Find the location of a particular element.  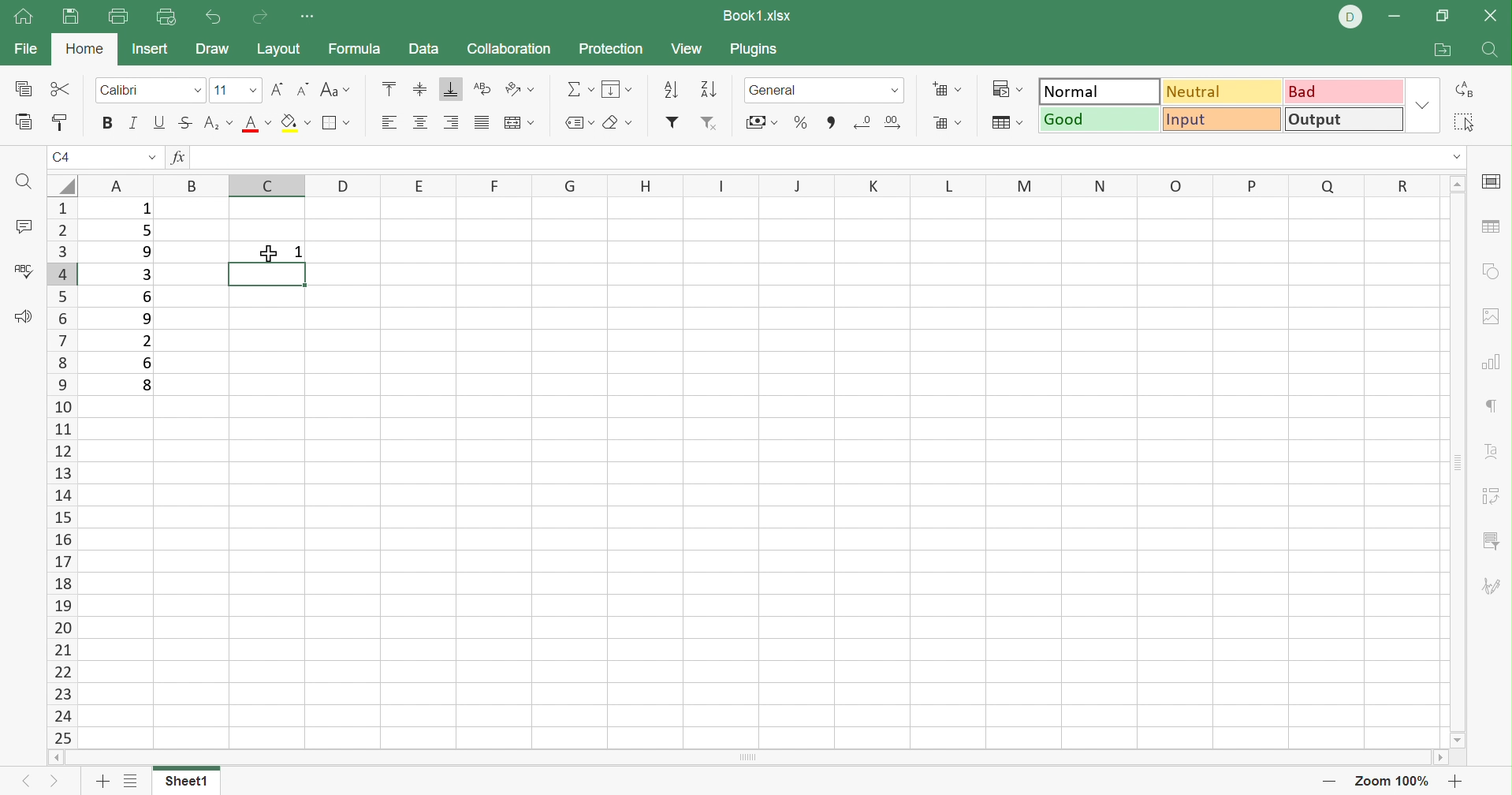

Zoom in is located at coordinates (1323, 780).